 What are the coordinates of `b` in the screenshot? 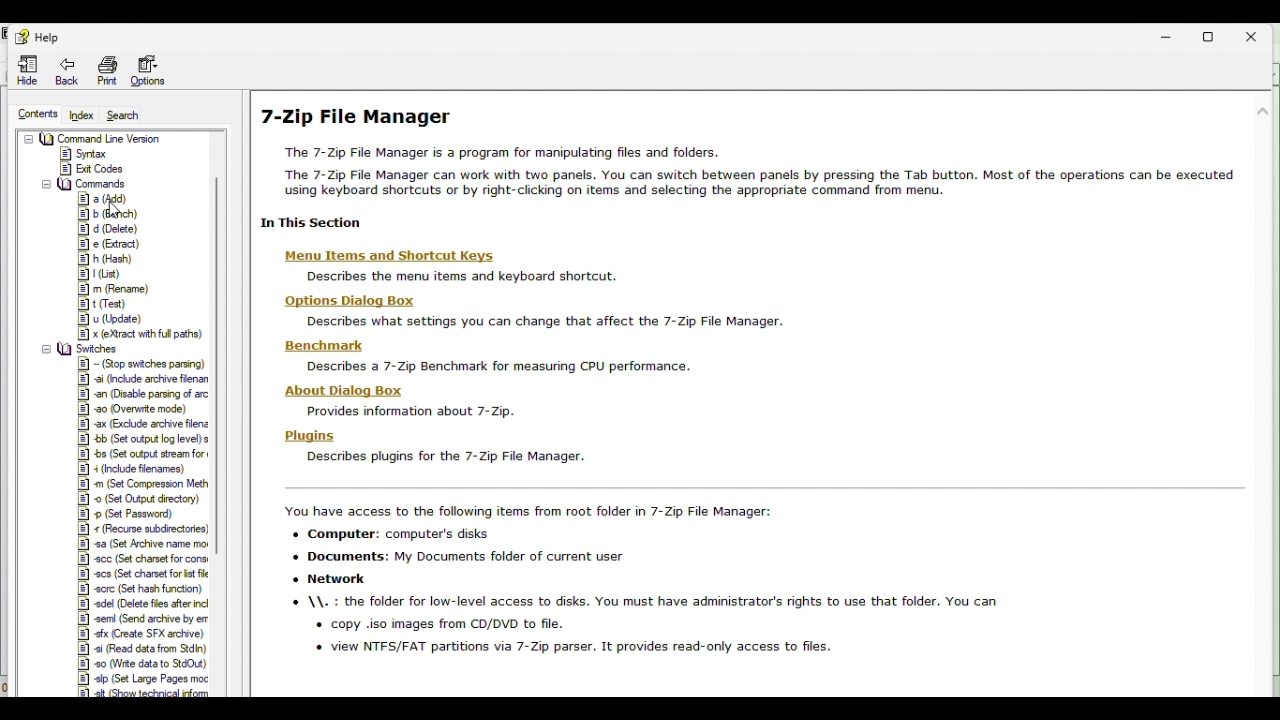 It's located at (119, 214).